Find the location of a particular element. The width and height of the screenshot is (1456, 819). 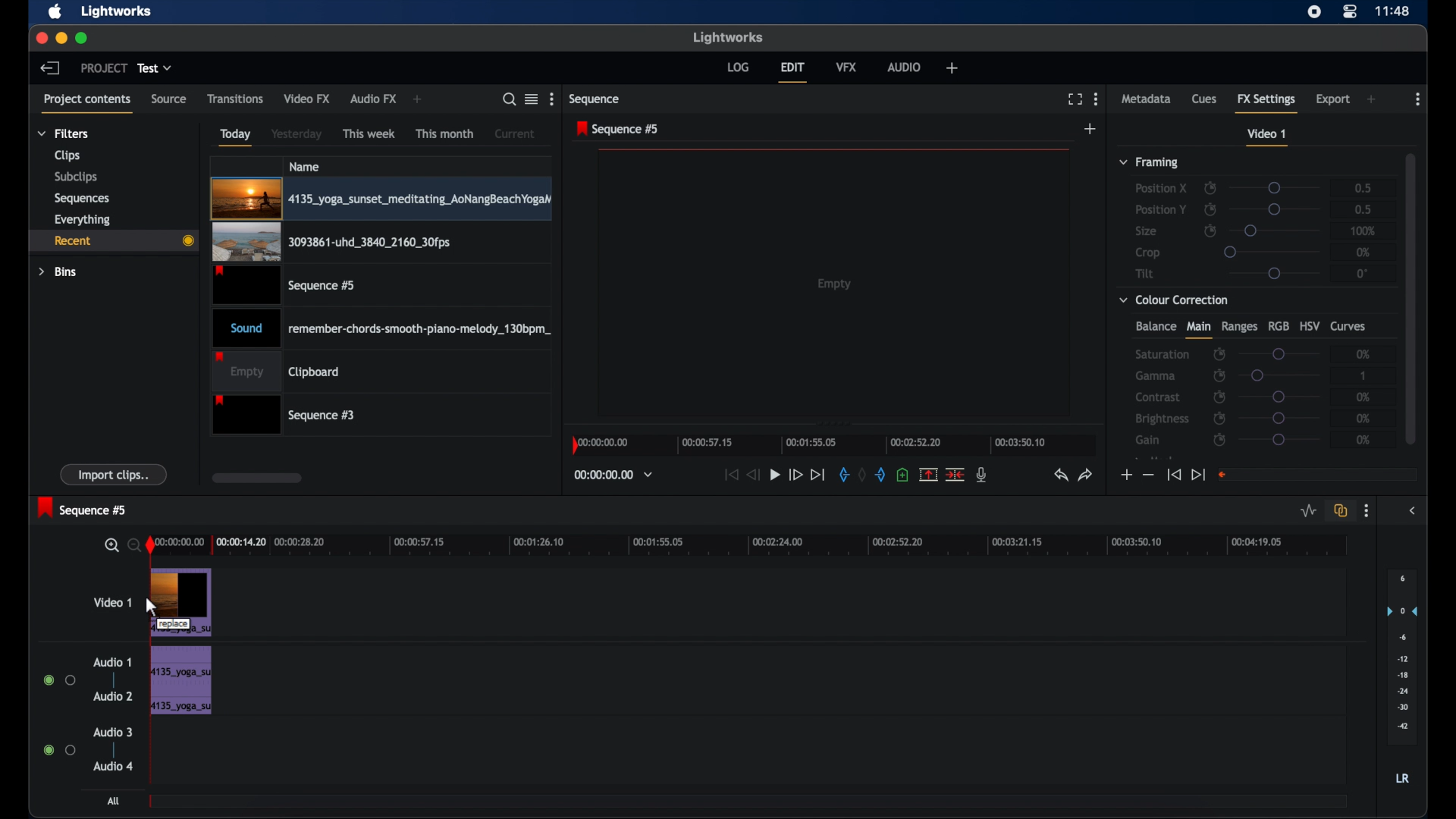

audio output levels is located at coordinates (1401, 657).